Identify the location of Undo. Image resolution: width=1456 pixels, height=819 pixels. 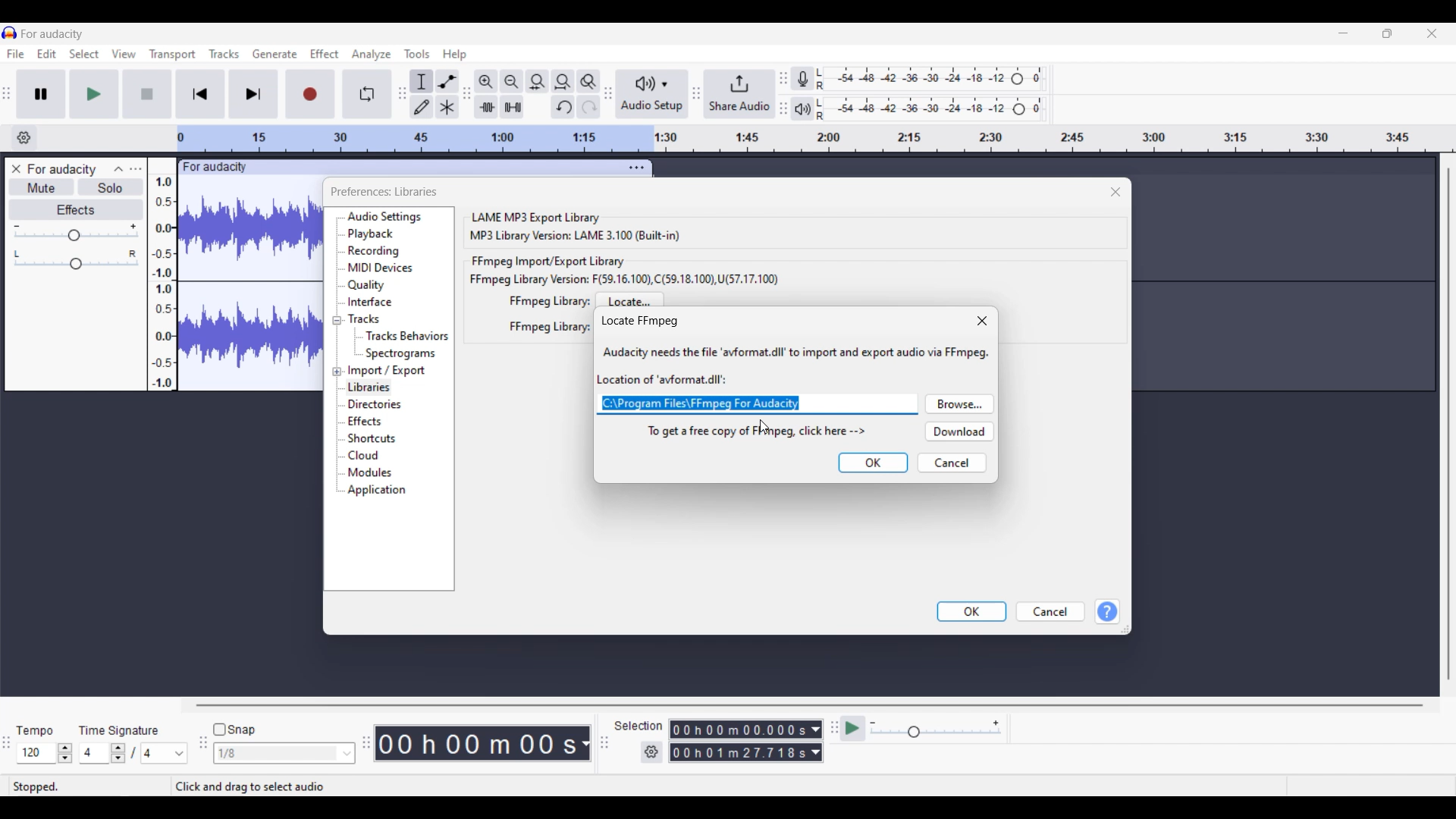
(563, 107).